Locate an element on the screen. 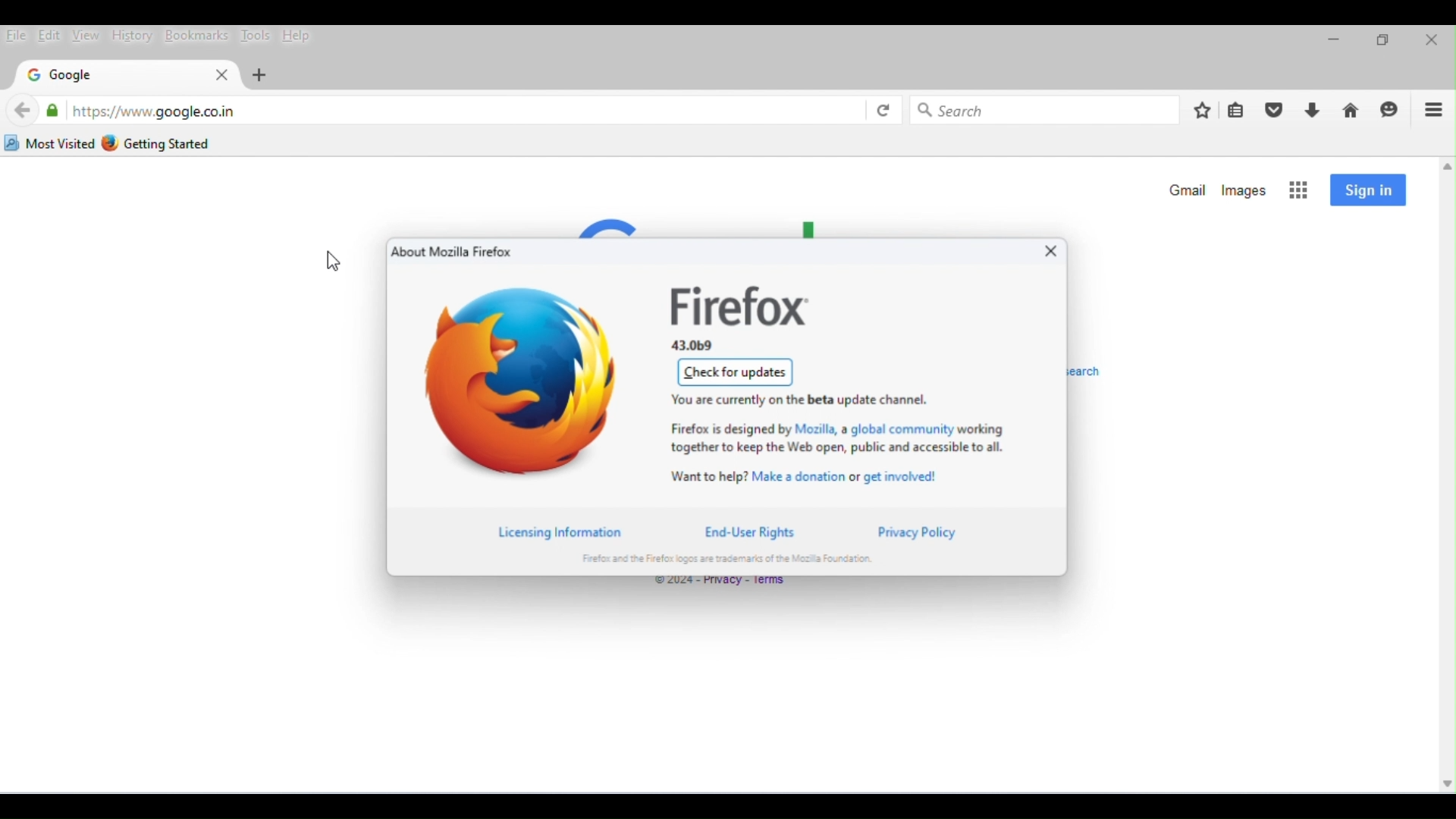  open application menu is located at coordinates (1434, 110).